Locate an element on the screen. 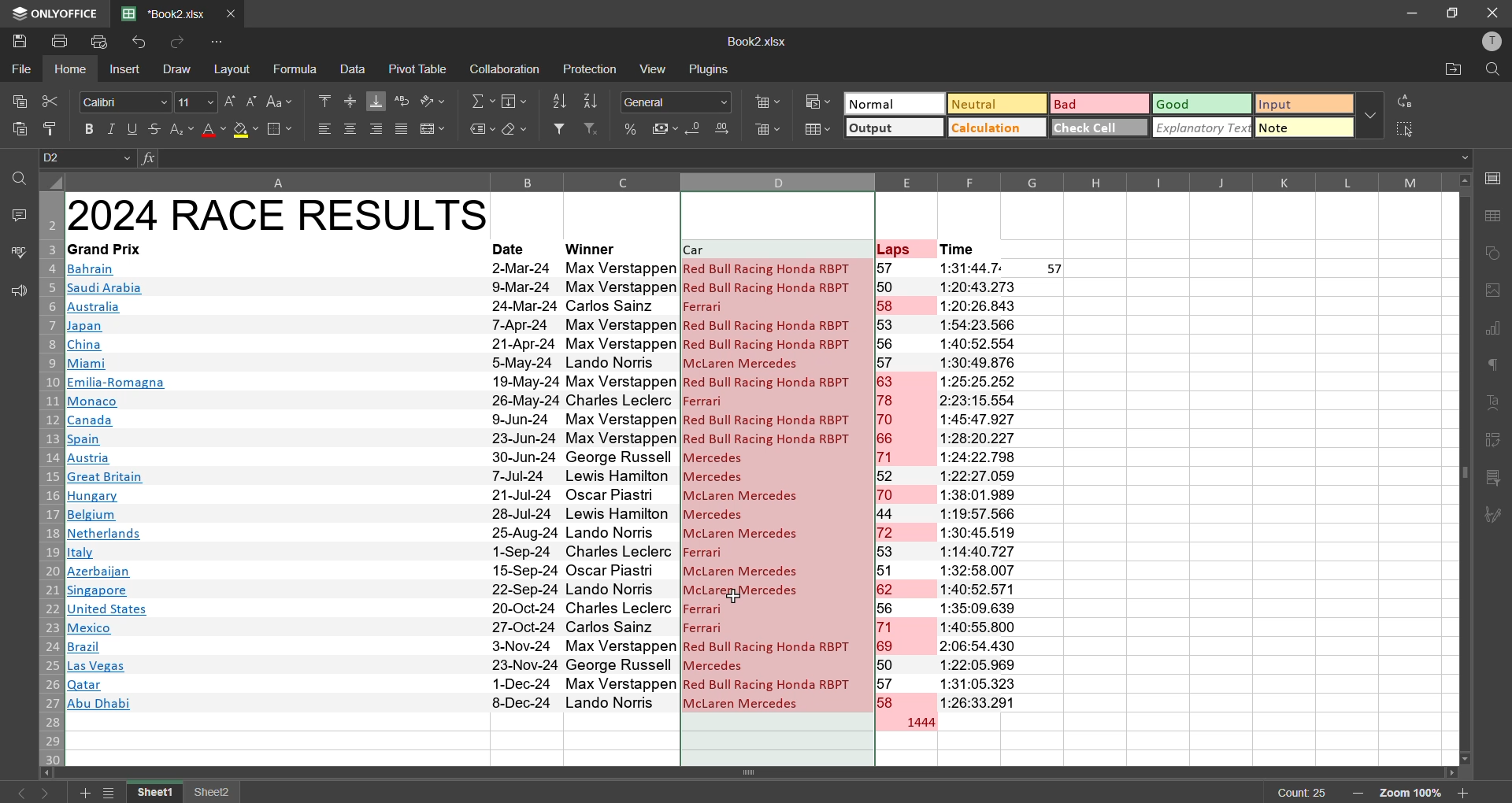  summation is located at coordinates (483, 102).